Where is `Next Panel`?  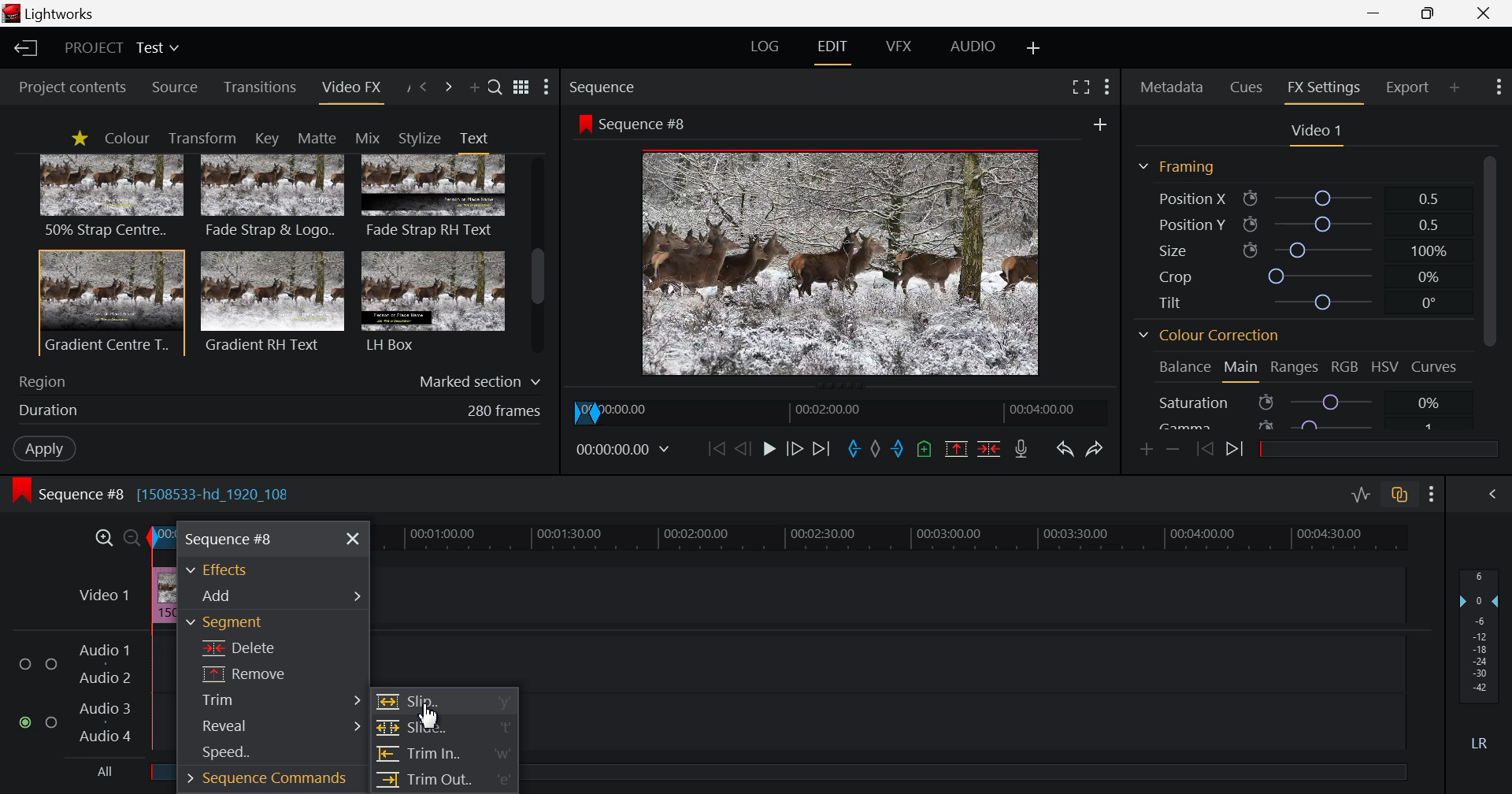 Next Panel is located at coordinates (448, 87).